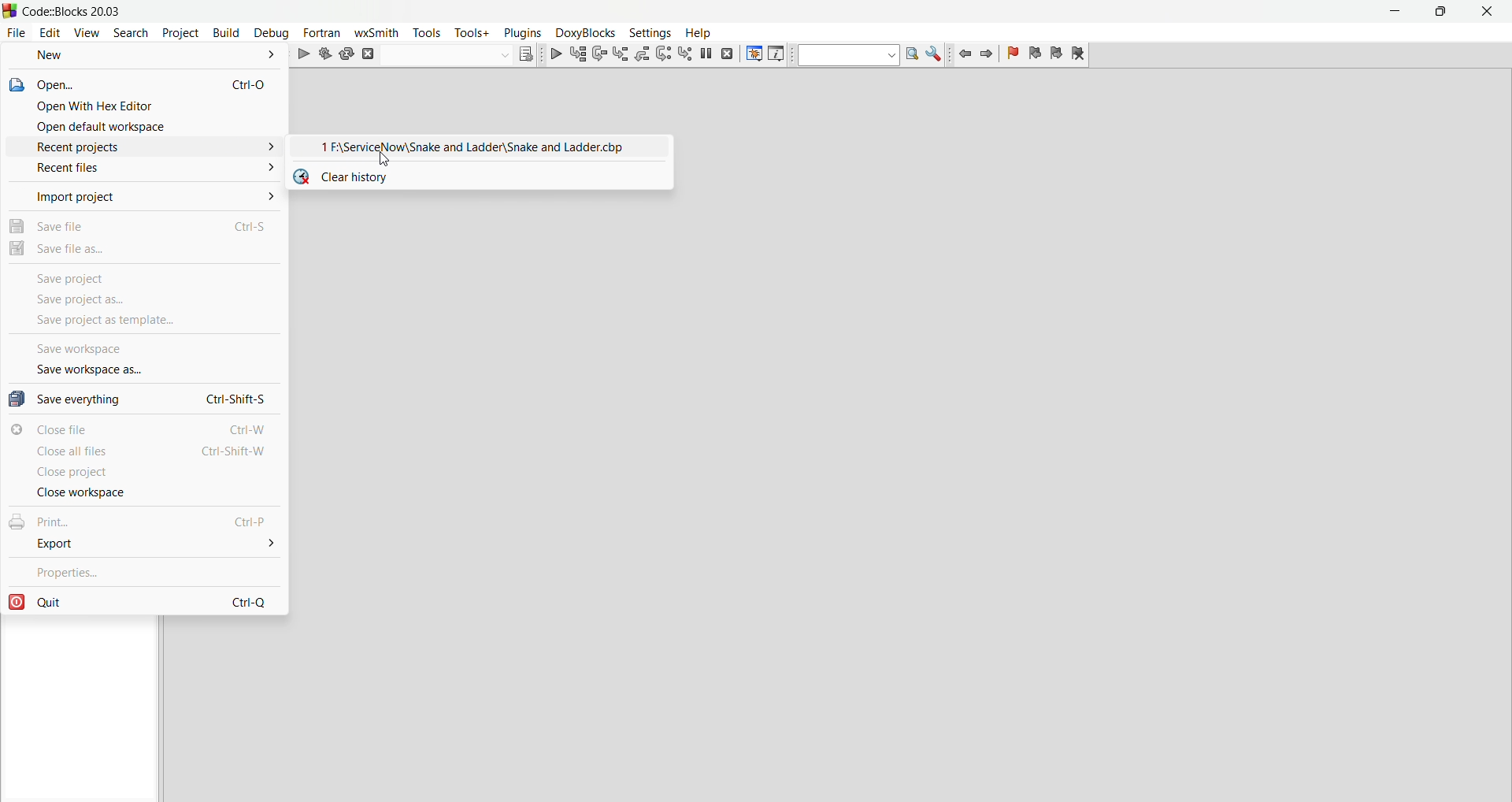  I want to click on jump back , so click(962, 56).